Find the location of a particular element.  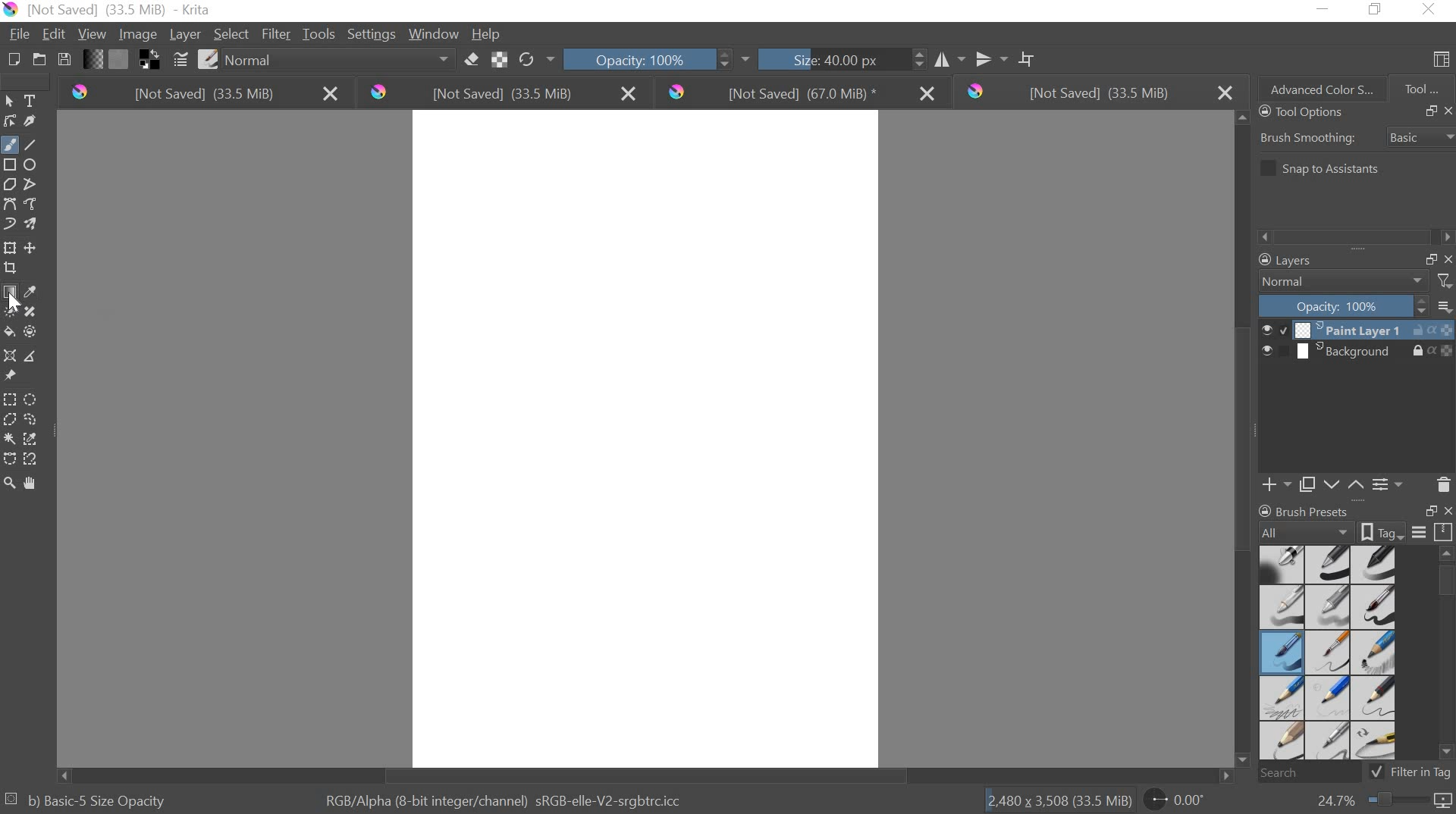

smart patch tool is located at coordinates (35, 310).